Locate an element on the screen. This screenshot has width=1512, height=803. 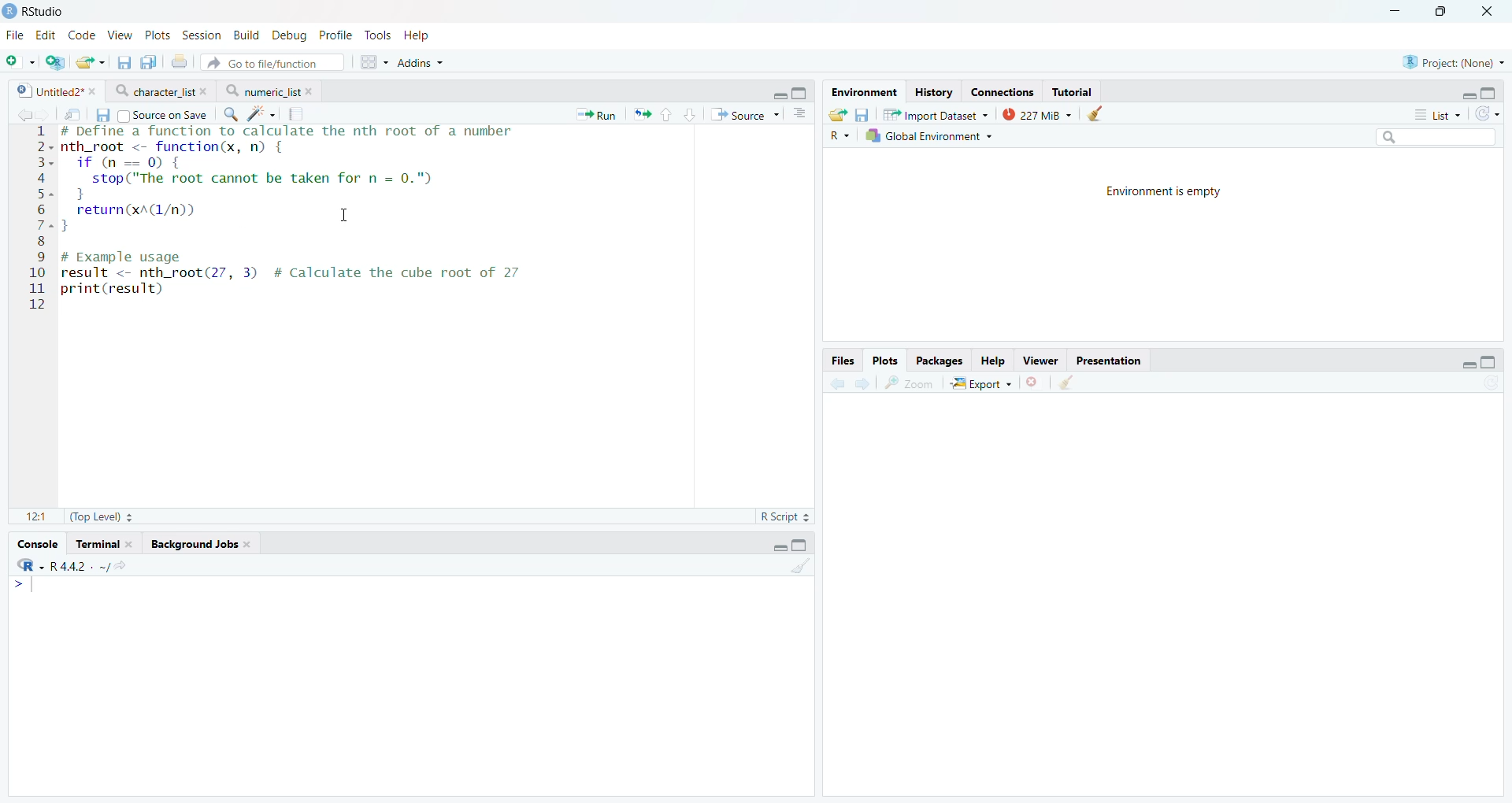
Full height is located at coordinates (1490, 361).